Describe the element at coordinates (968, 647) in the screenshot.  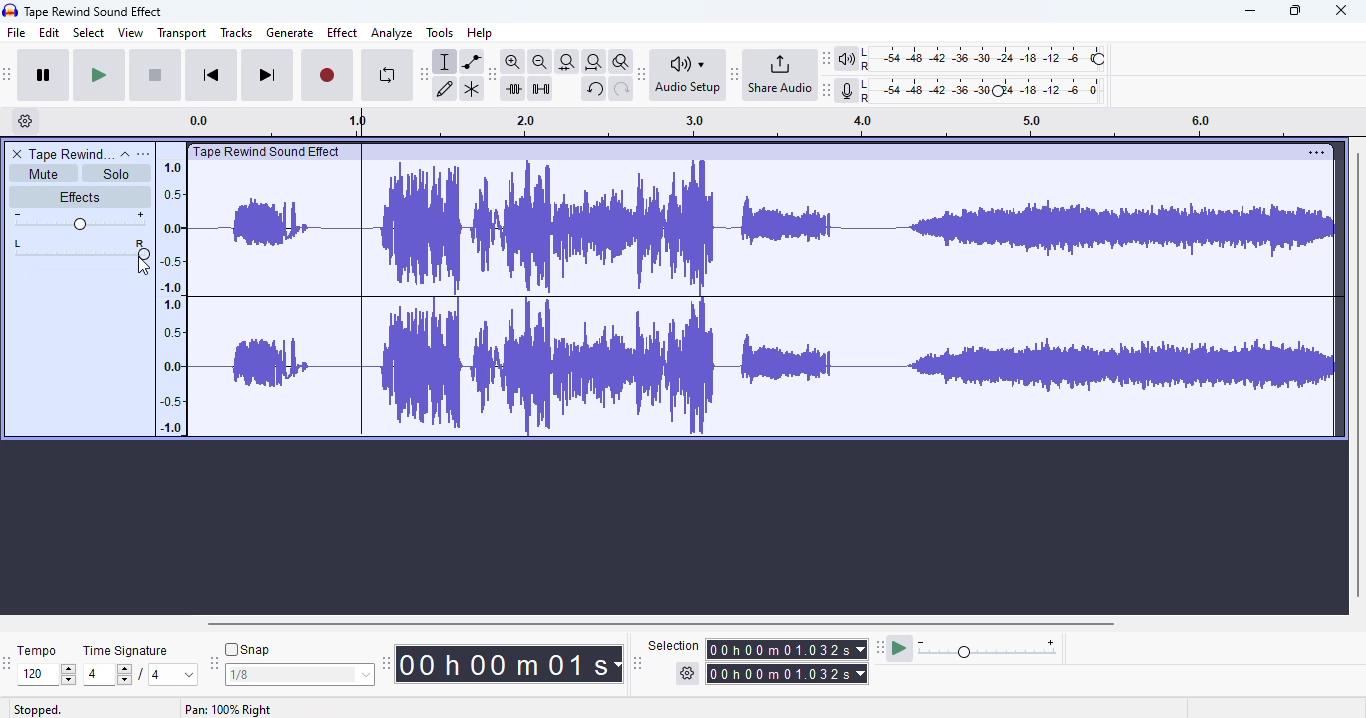
I see `audacity play-at-speed toolbar` at that location.